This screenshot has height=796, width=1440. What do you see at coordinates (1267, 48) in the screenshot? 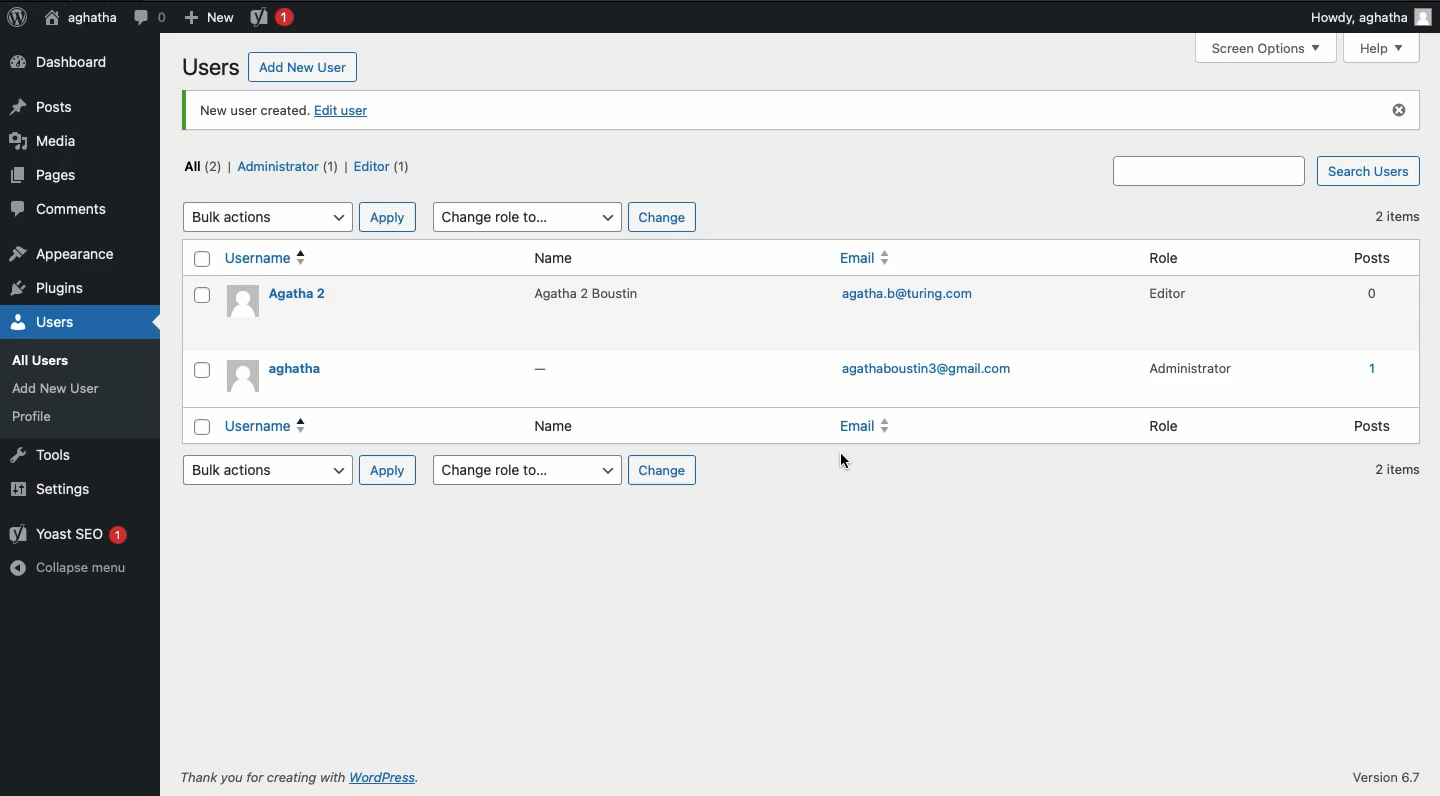
I see `Screen options` at bounding box center [1267, 48].